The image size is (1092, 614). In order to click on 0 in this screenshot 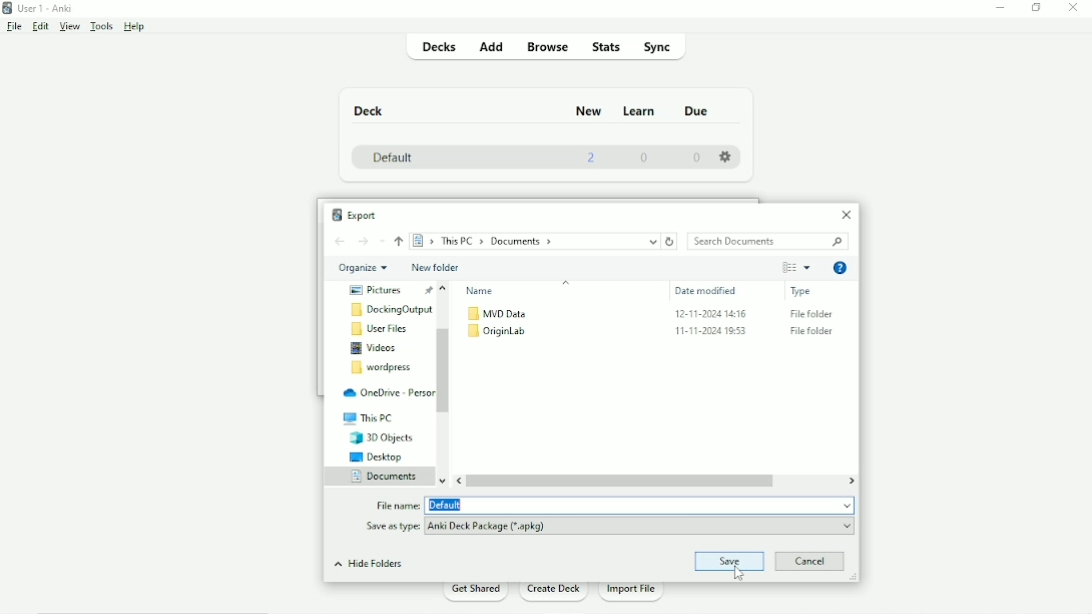, I will do `click(643, 159)`.